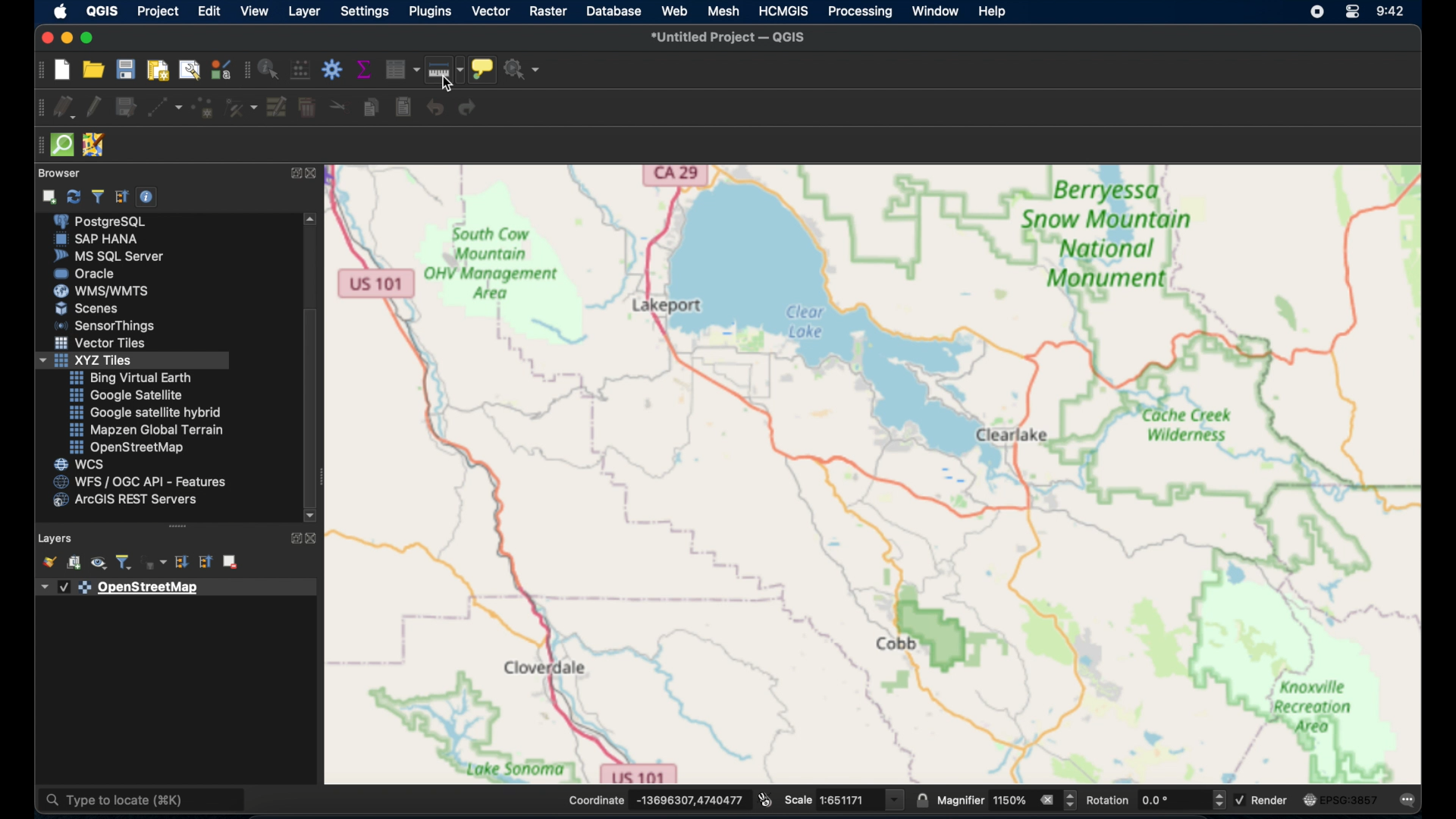 This screenshot has width=1456, height=819. What do you see at coordinates (129, 502) in the screenshot?
I see `arcGIS rest servers` at bounding box center [129, 502].